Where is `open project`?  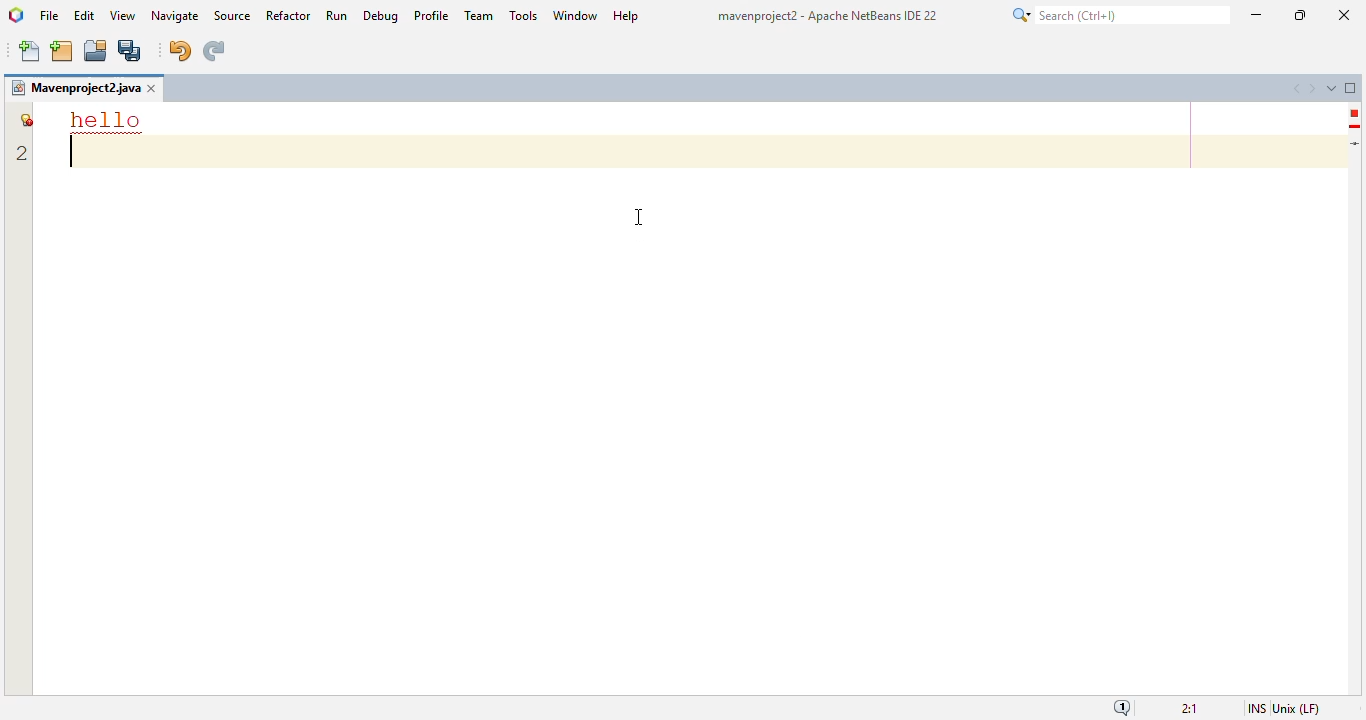
open project is located at coordinates (96, 51).